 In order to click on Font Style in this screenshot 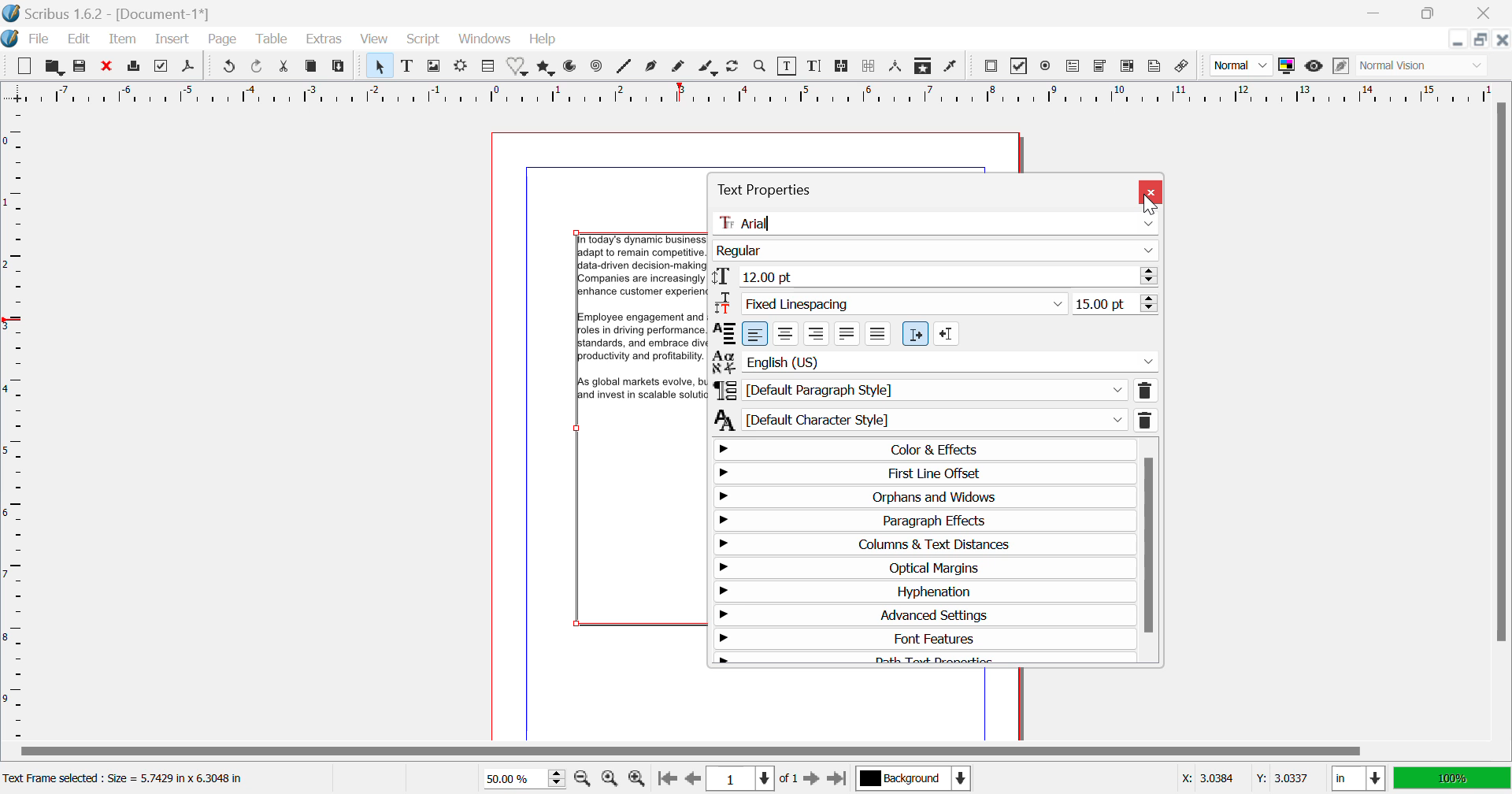, I will do `click(934, 252)`.